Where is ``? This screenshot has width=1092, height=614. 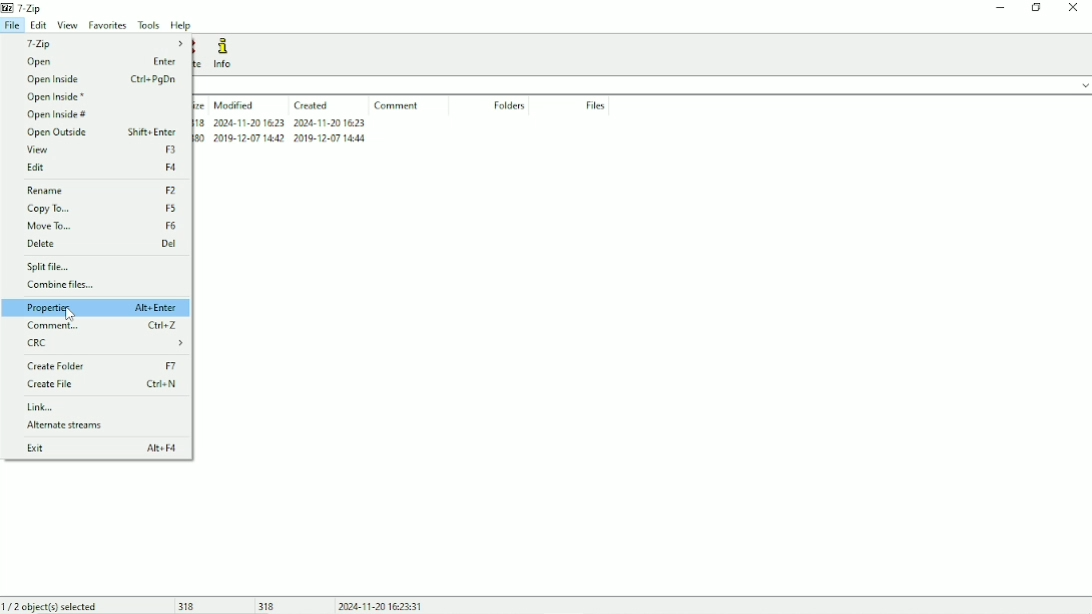
 is located at coordinates (298, 123).